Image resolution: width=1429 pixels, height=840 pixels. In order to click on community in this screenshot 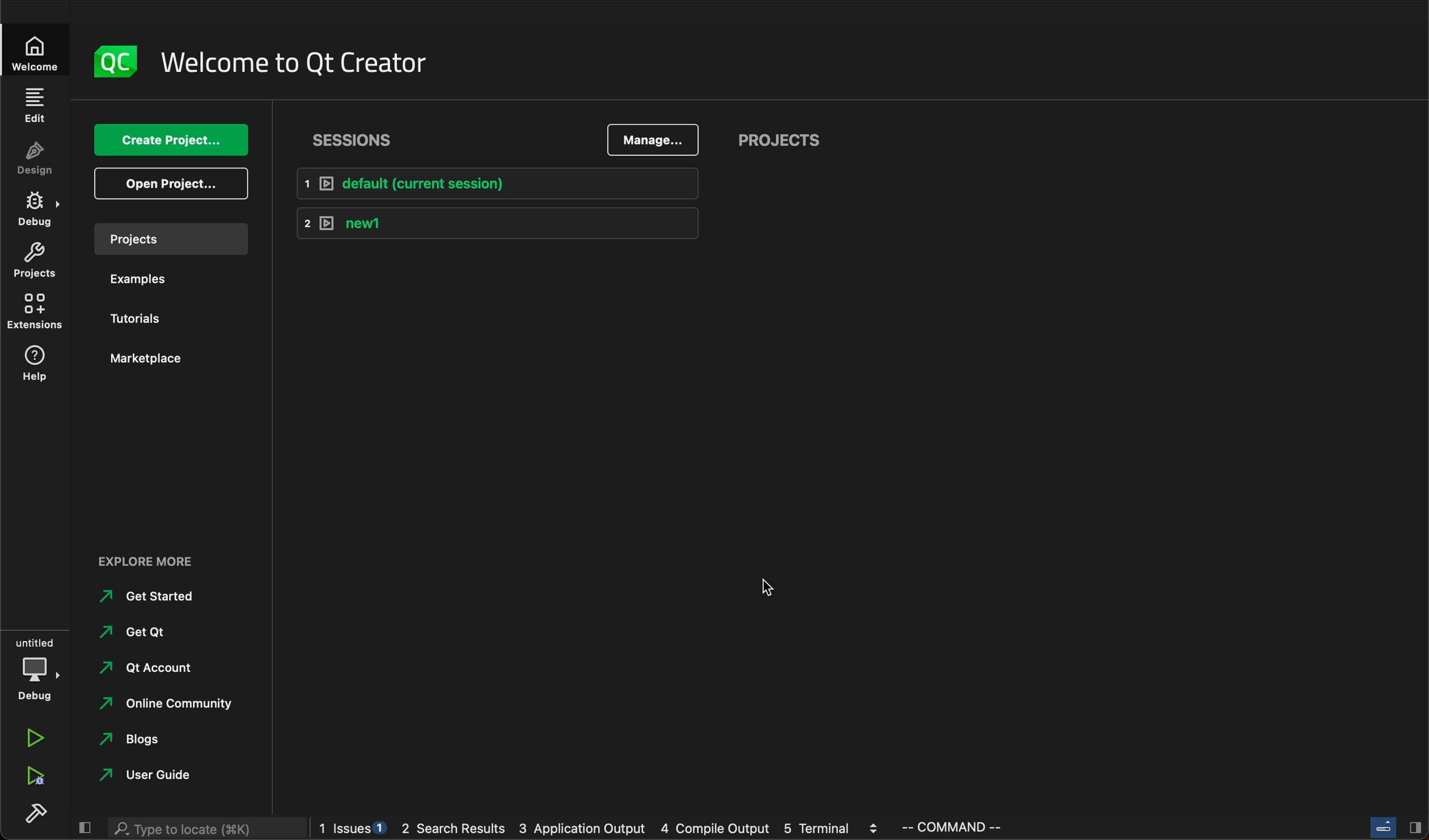, I will do `click(174, 705)`.